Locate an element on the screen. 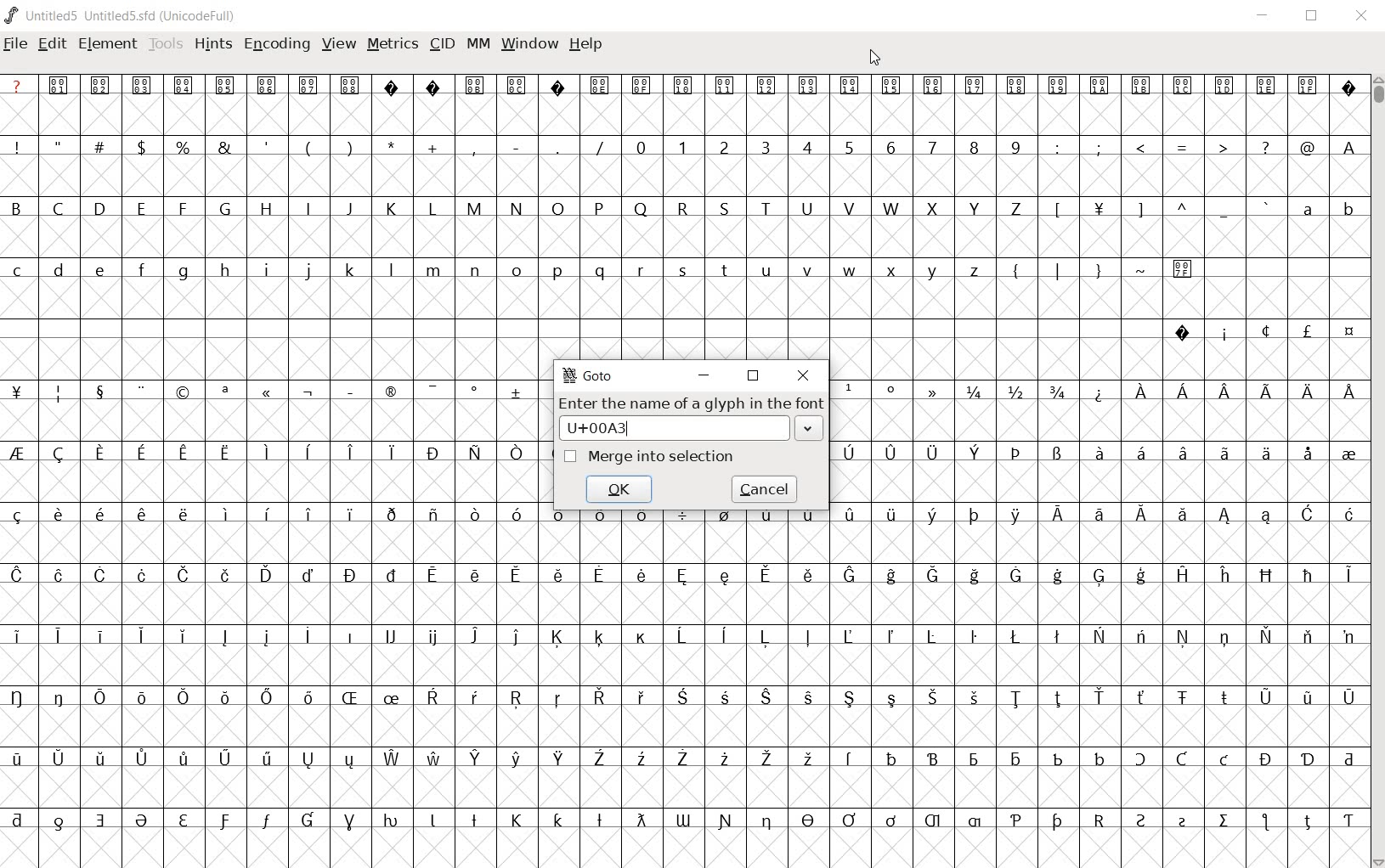  Symbol is located at coordinates (432, 757).